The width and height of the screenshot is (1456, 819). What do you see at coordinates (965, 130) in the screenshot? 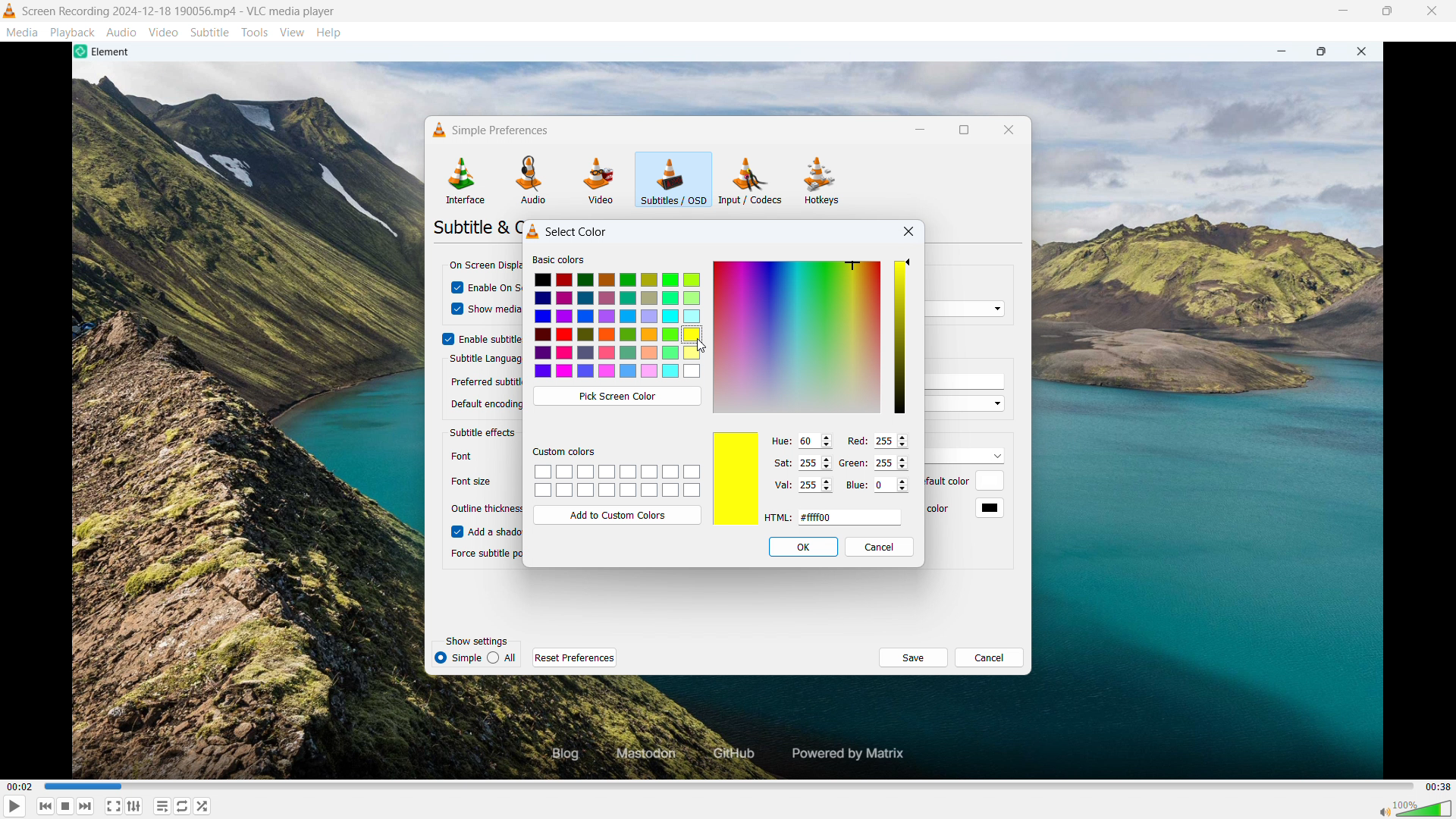
I see `Maximise dialogue box ` at bounding box center [965, 130].